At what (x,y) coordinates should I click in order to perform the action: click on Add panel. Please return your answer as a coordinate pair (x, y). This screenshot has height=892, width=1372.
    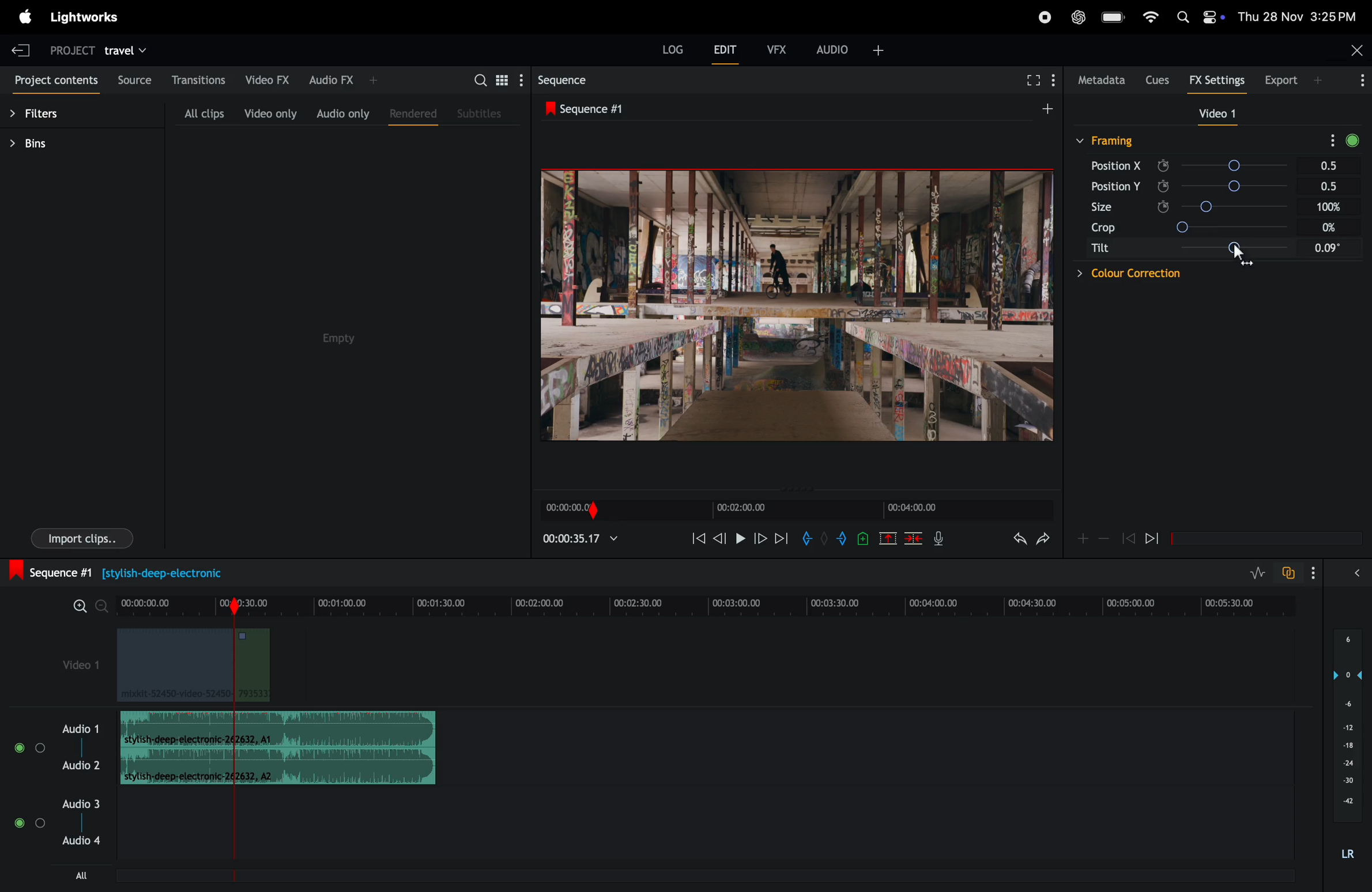
    Looking at the image, I should click on (1320, 81).